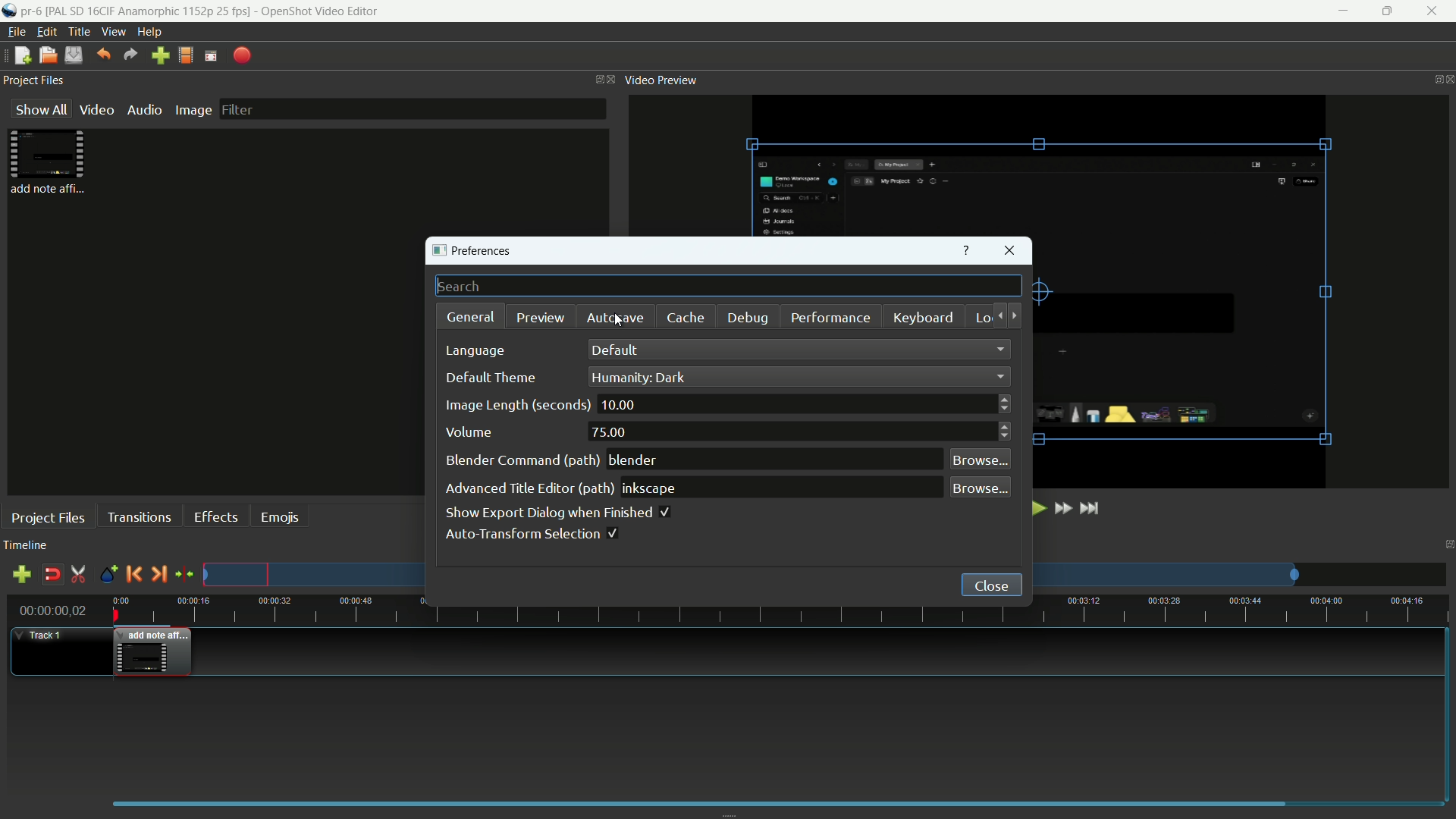 This screenshot has height=819, width=1456. Describe the element at coordinates (1433, 78) in the screenshot. I see `change layout` at that location.